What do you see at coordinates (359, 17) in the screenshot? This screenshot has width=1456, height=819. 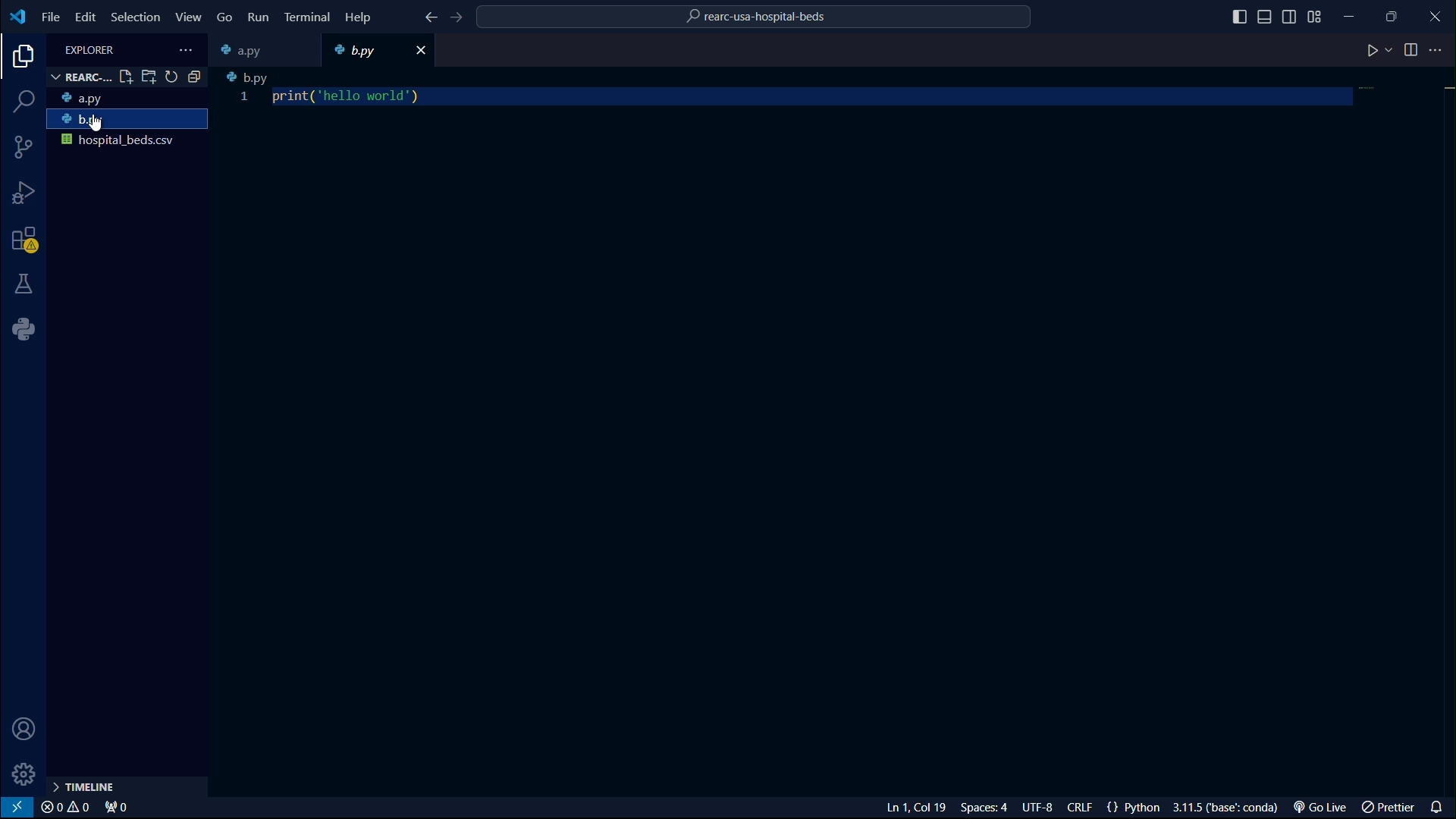 I see `help menu` at bounding box center [359, 17].